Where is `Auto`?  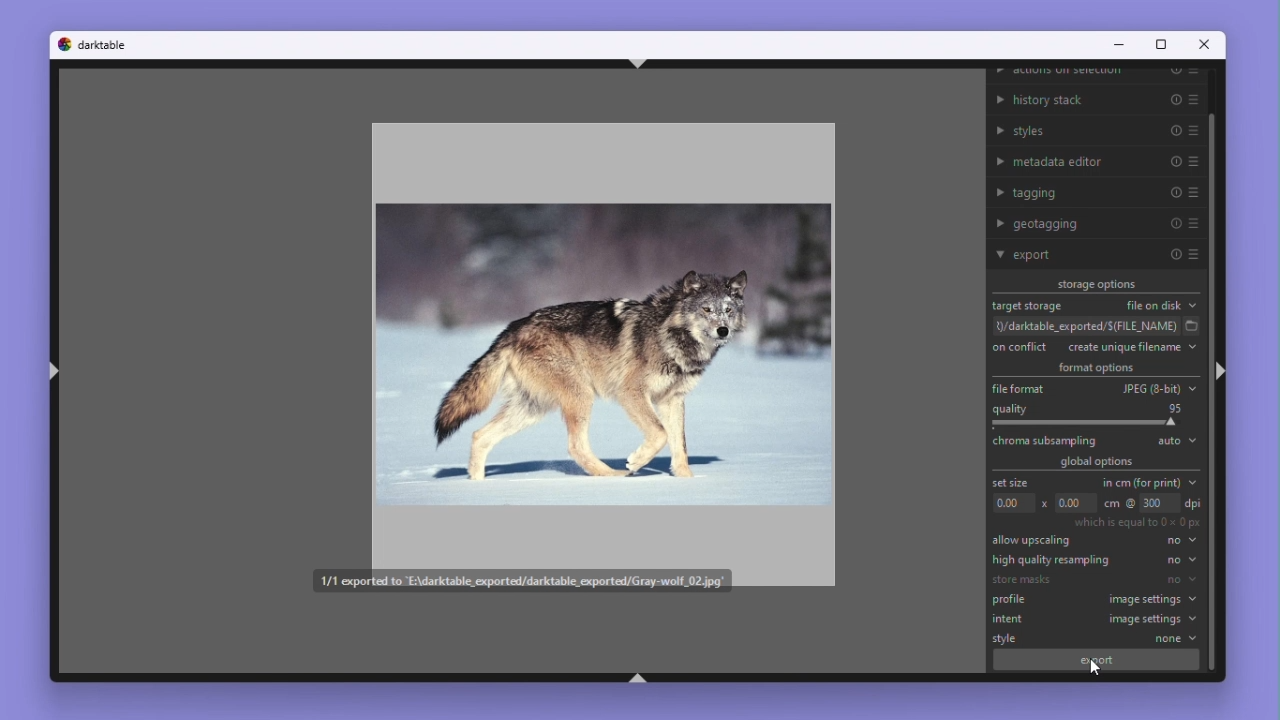 Auto is located at coordinates (1176, 441).